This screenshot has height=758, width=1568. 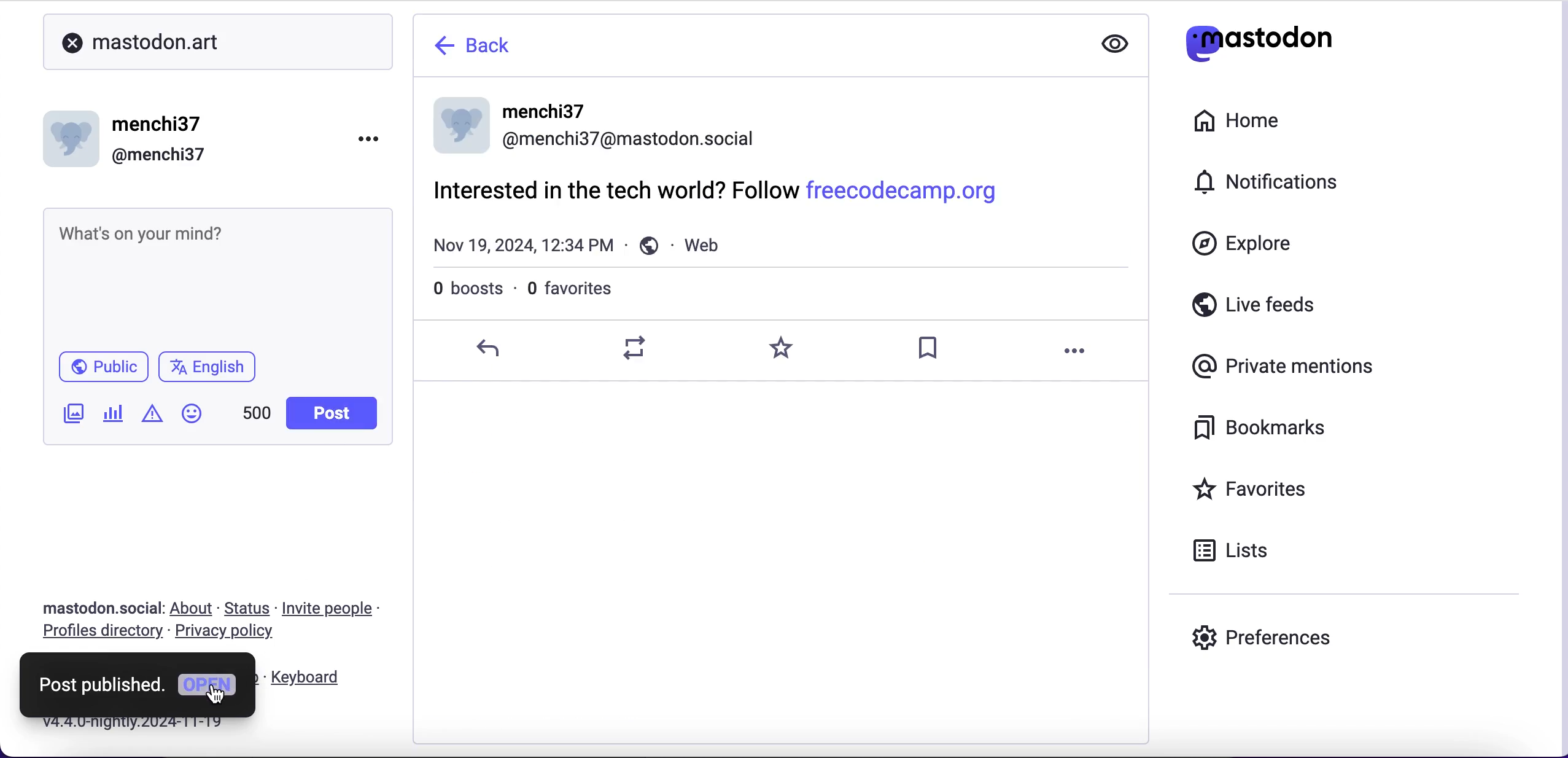 What do you see at coordinates (75, 417) in the screenshot?
I see `add image` at bounding box center [75, 417].